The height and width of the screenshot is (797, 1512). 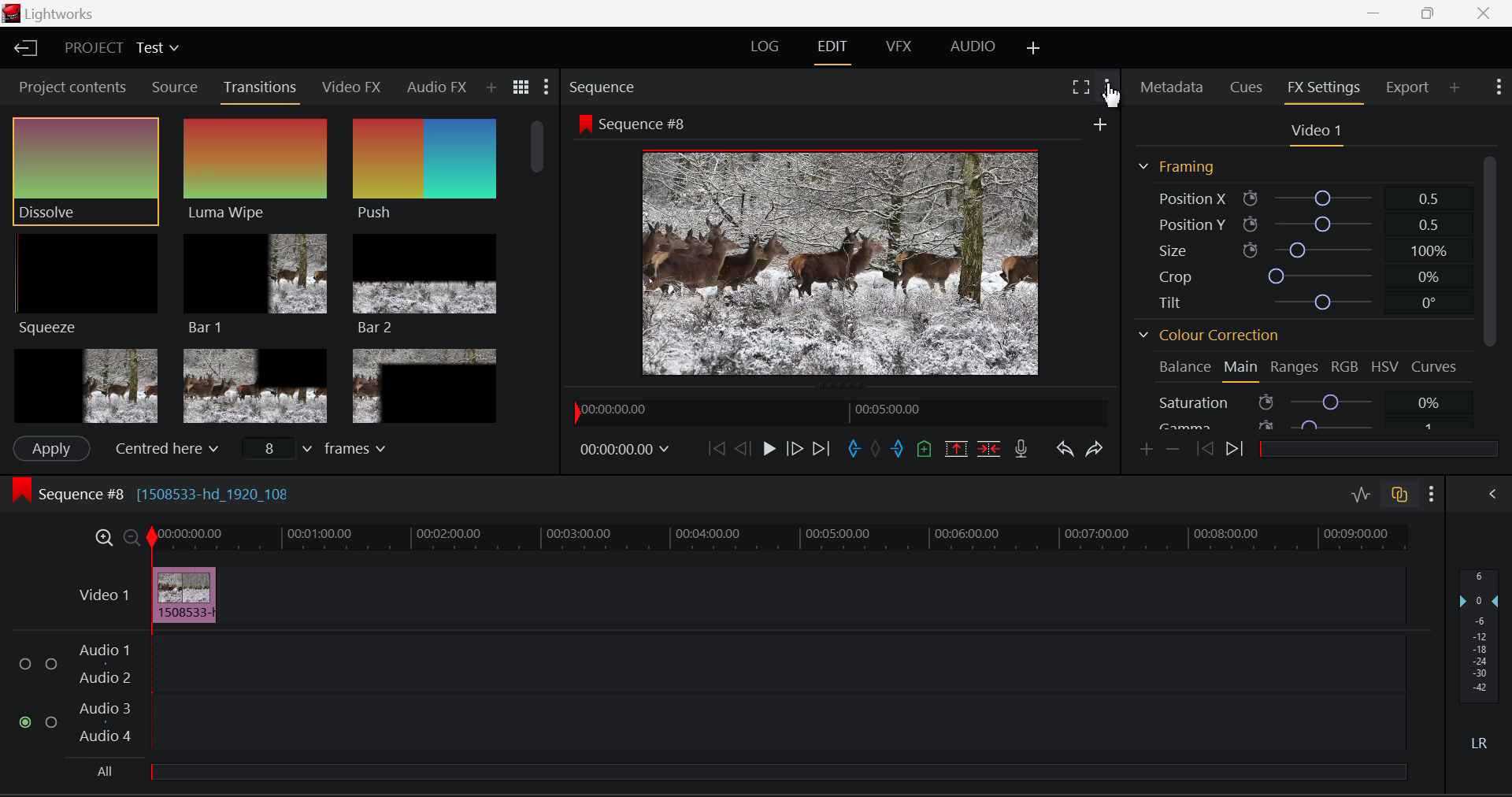 I want to click on AUDIO Layout, so click(x=973, y=47).